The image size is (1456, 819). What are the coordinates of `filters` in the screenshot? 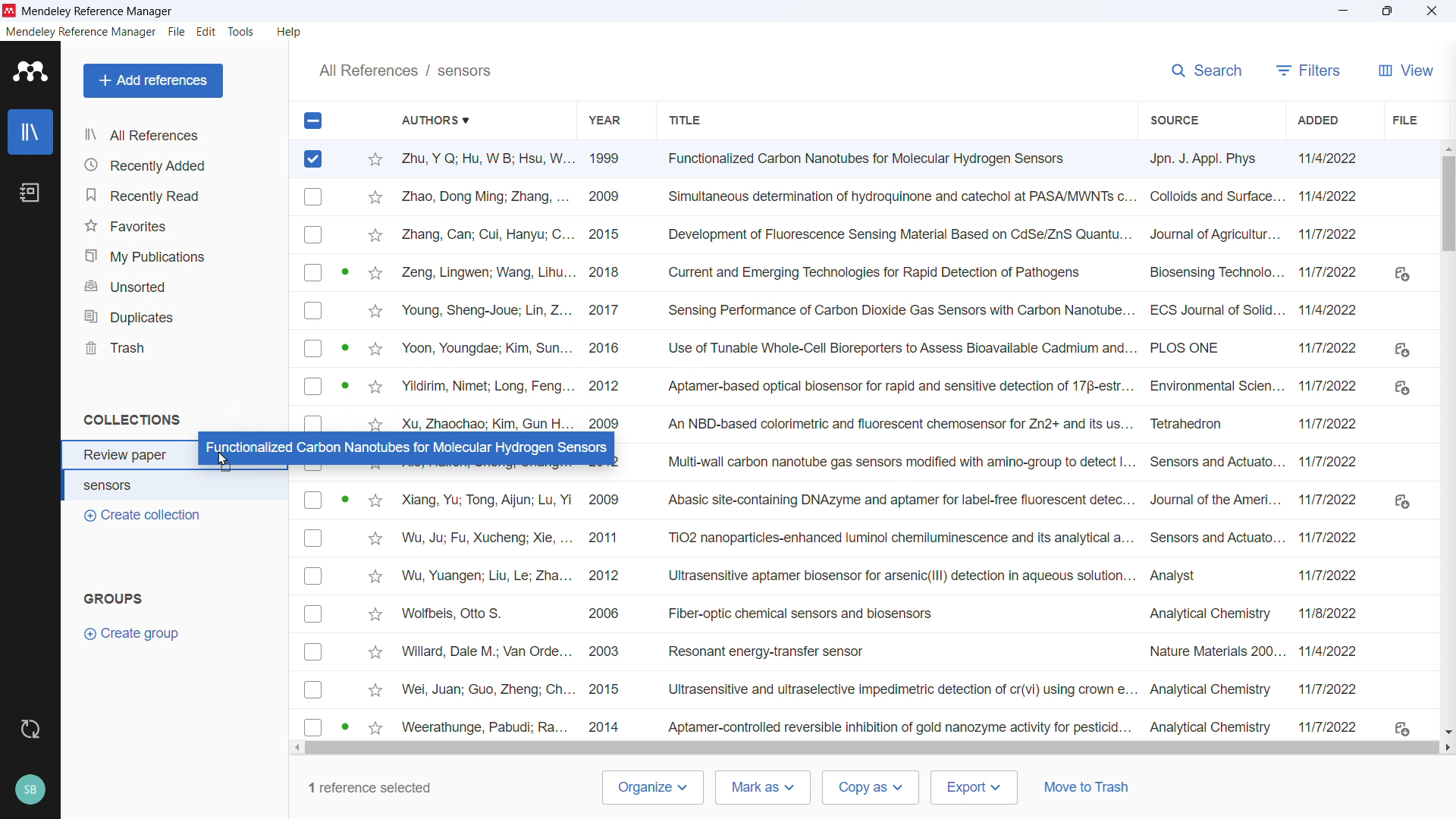 It's located at (1307, 70).